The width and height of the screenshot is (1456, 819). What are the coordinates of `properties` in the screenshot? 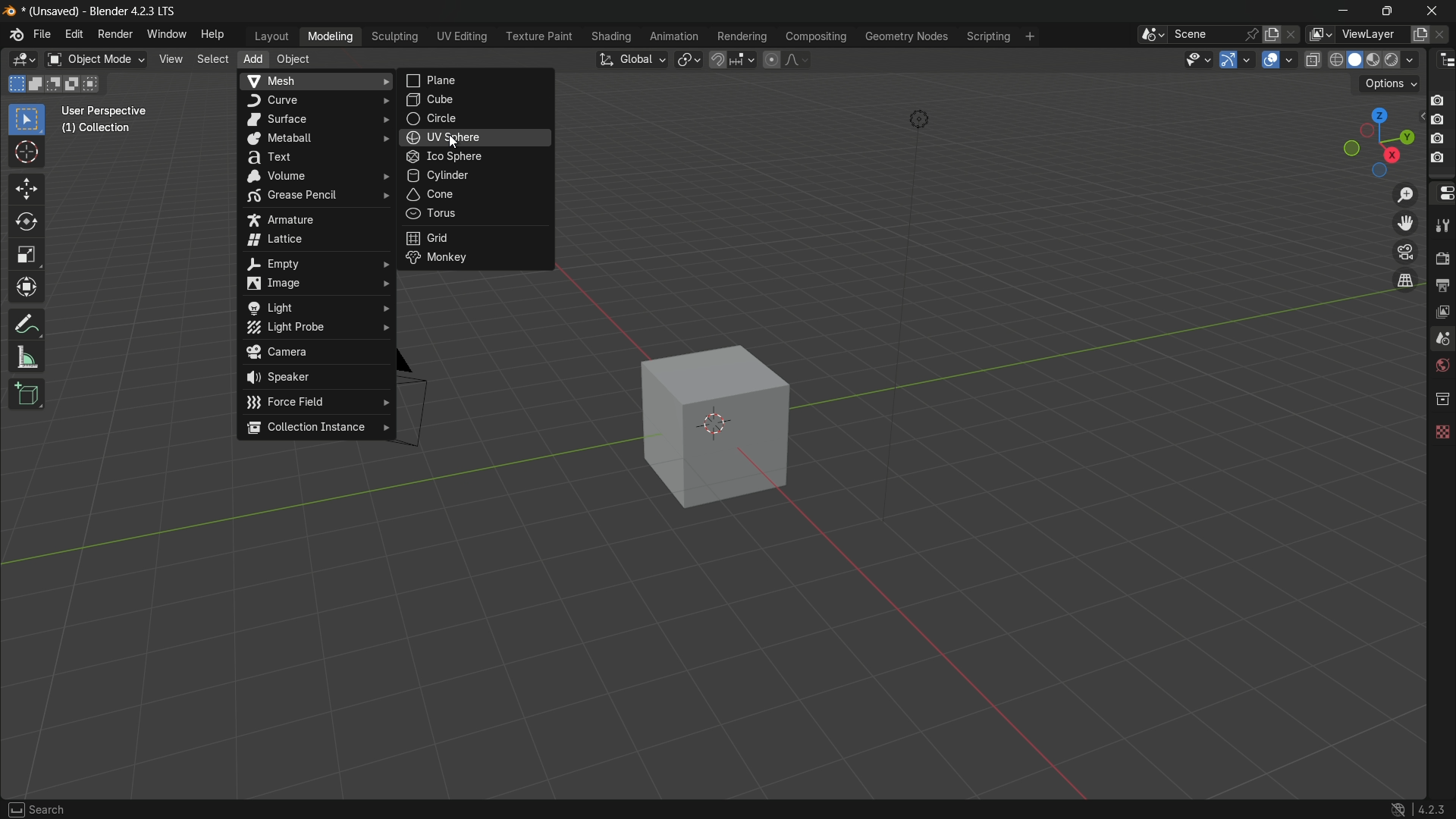 It's located at (1442, 192).